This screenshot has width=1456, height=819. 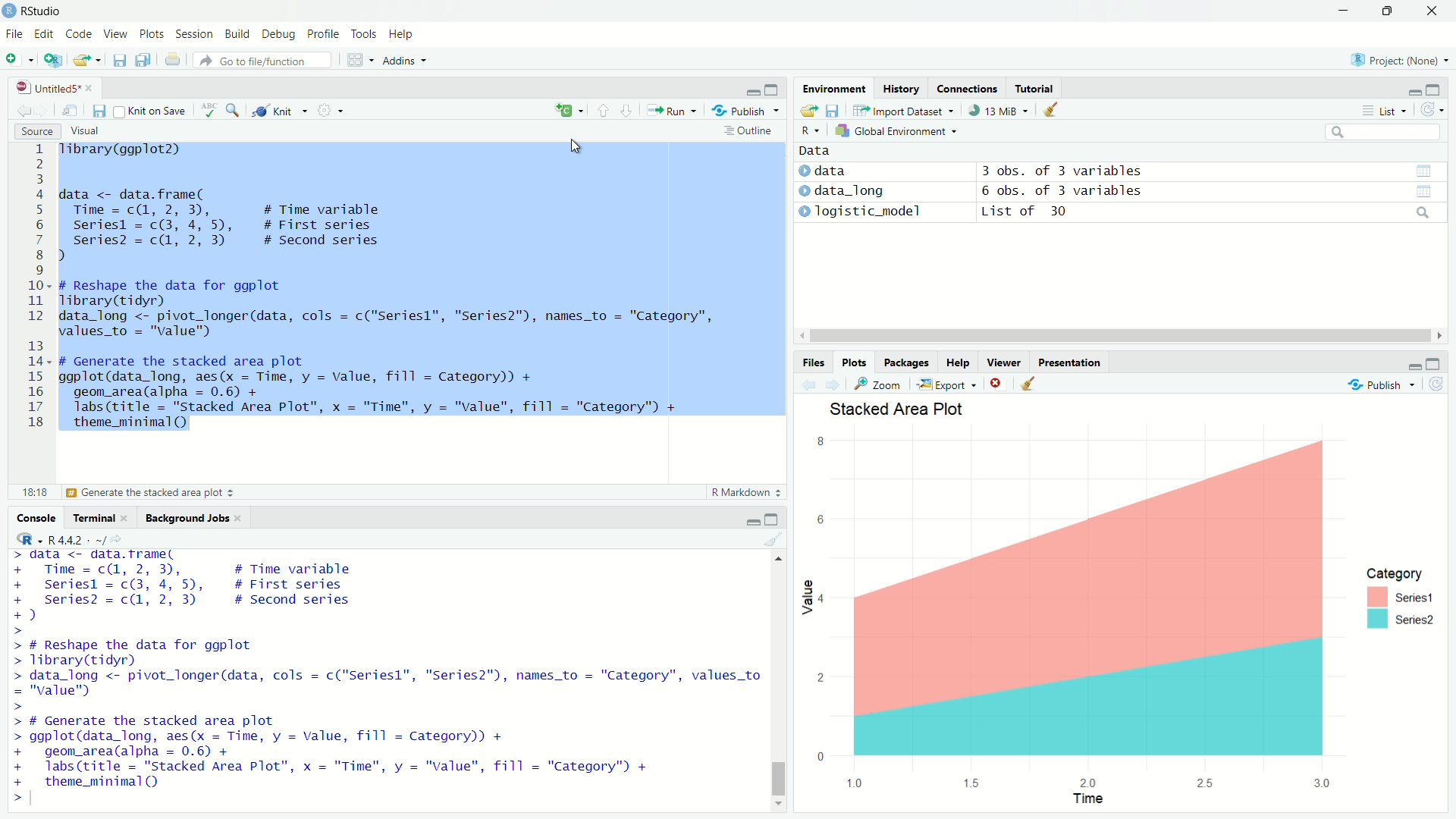 What do you see at coordinates (77, 33) in the screenshot?
I see `Code` at bounding box center [77, 33].